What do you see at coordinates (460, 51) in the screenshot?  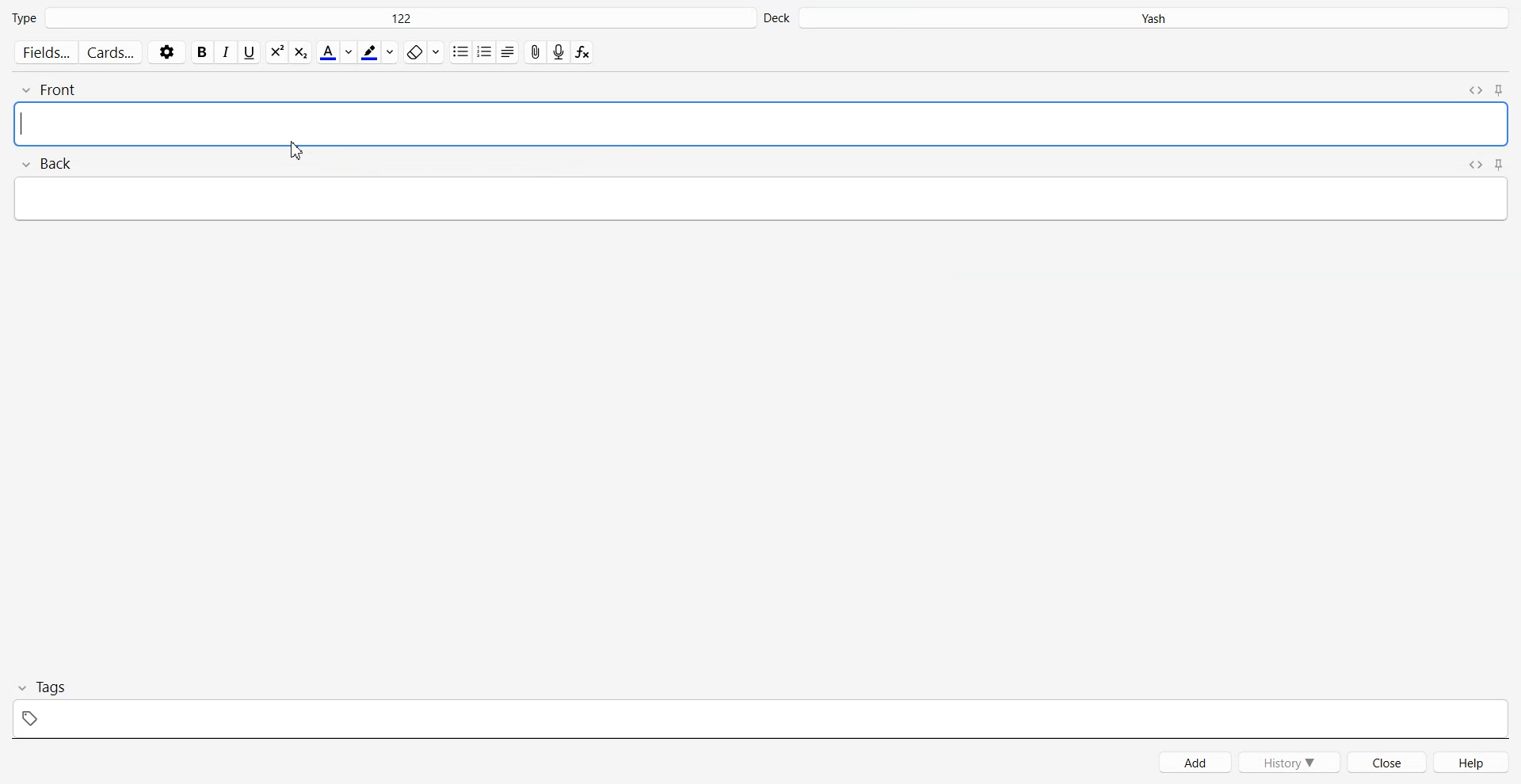 I see `Unordered list` at bounding box center [460, 51].